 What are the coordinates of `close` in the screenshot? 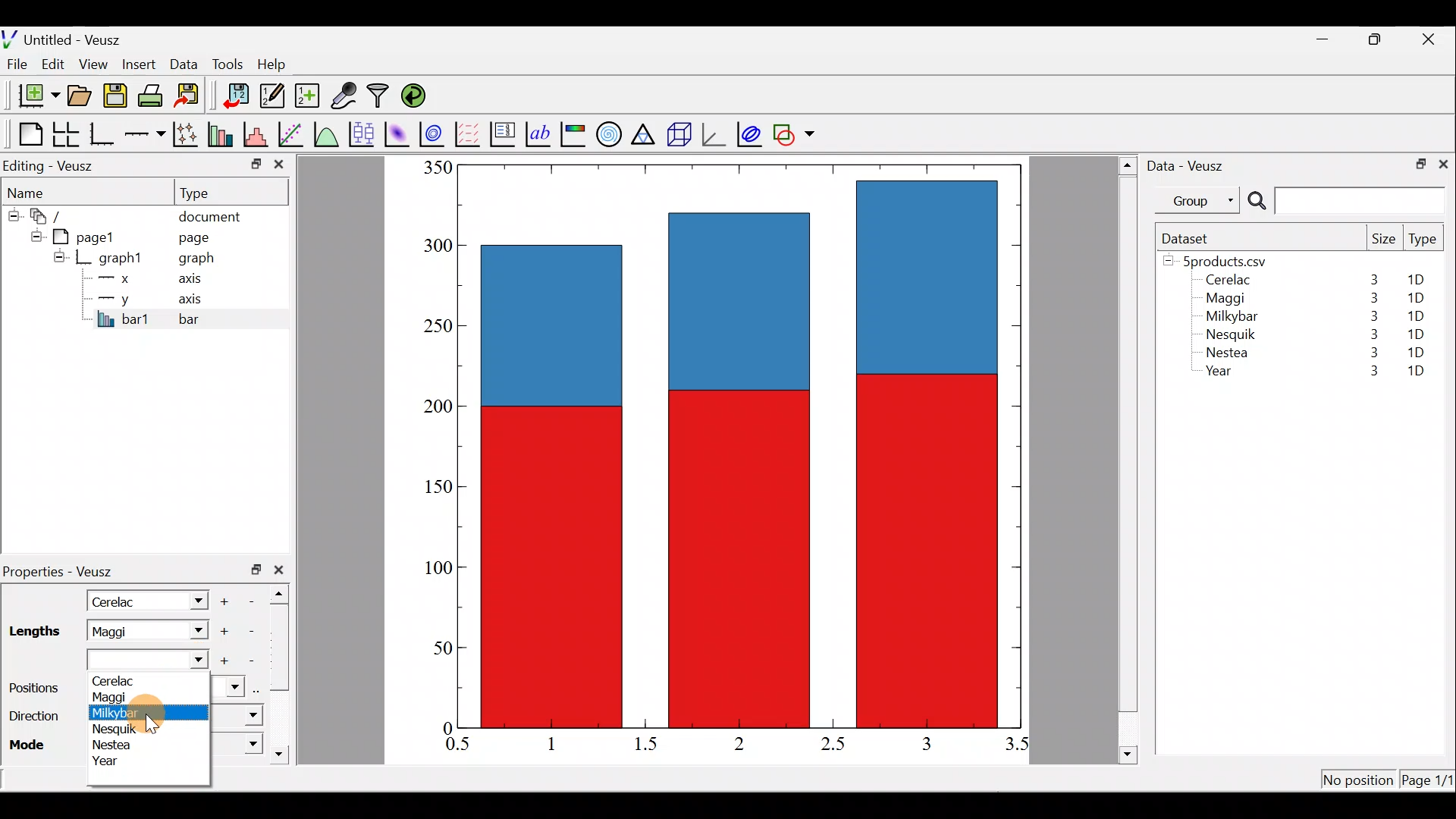 It's located at (1443, 163).